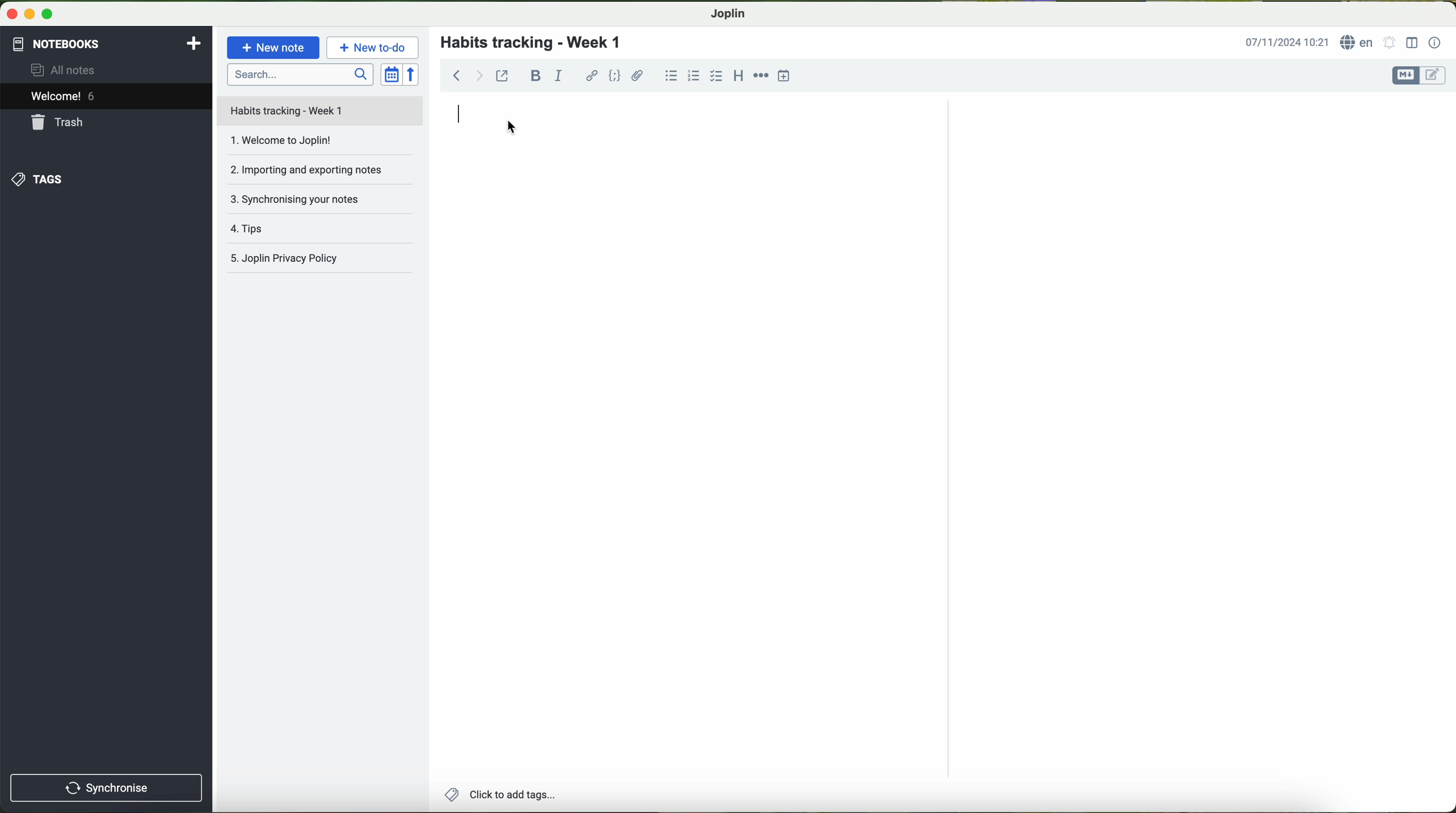 Image resolution: width=1456 pixels, height=813 pixels. What do you see at coordinates (319, 174) in the screenshot?
I see `importing and exporting notes` at bounding box center [319, 174].